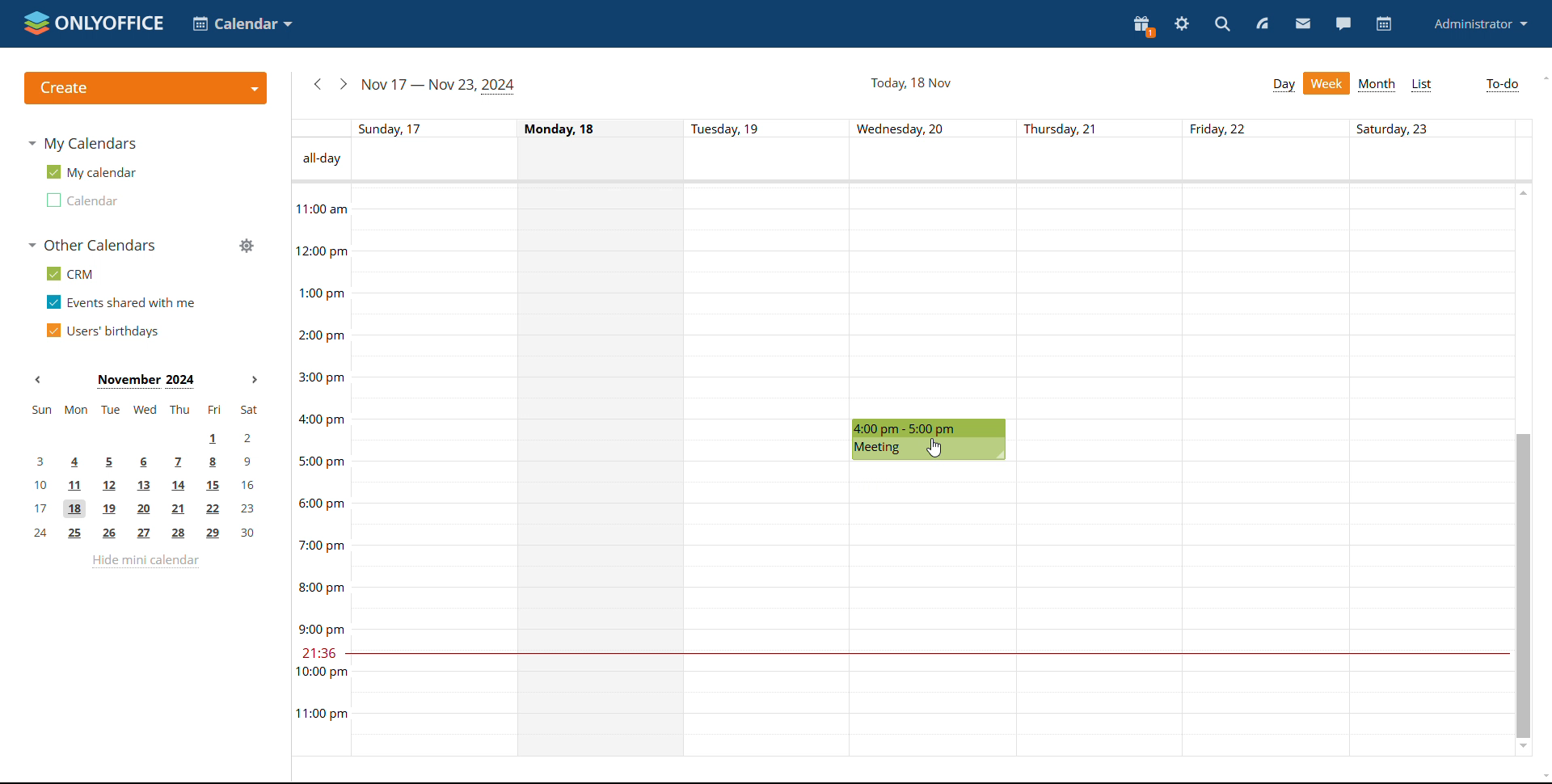  I want to click on hide mini calendar, so click(145, 561).